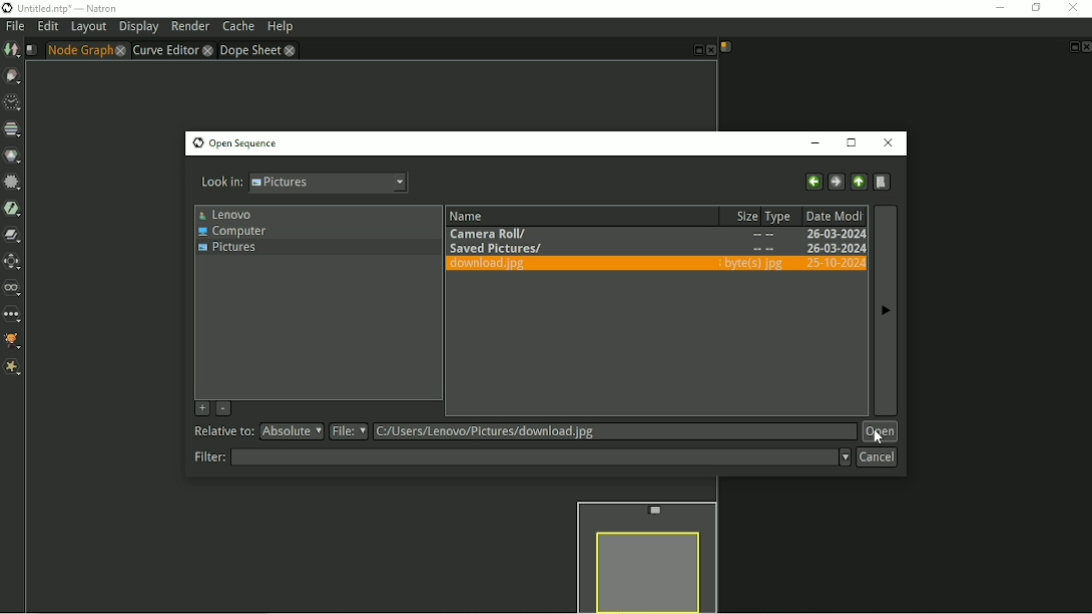 The width and height of the screenshot is (1092, 614). I want to click on Edit, so click(47, 27).